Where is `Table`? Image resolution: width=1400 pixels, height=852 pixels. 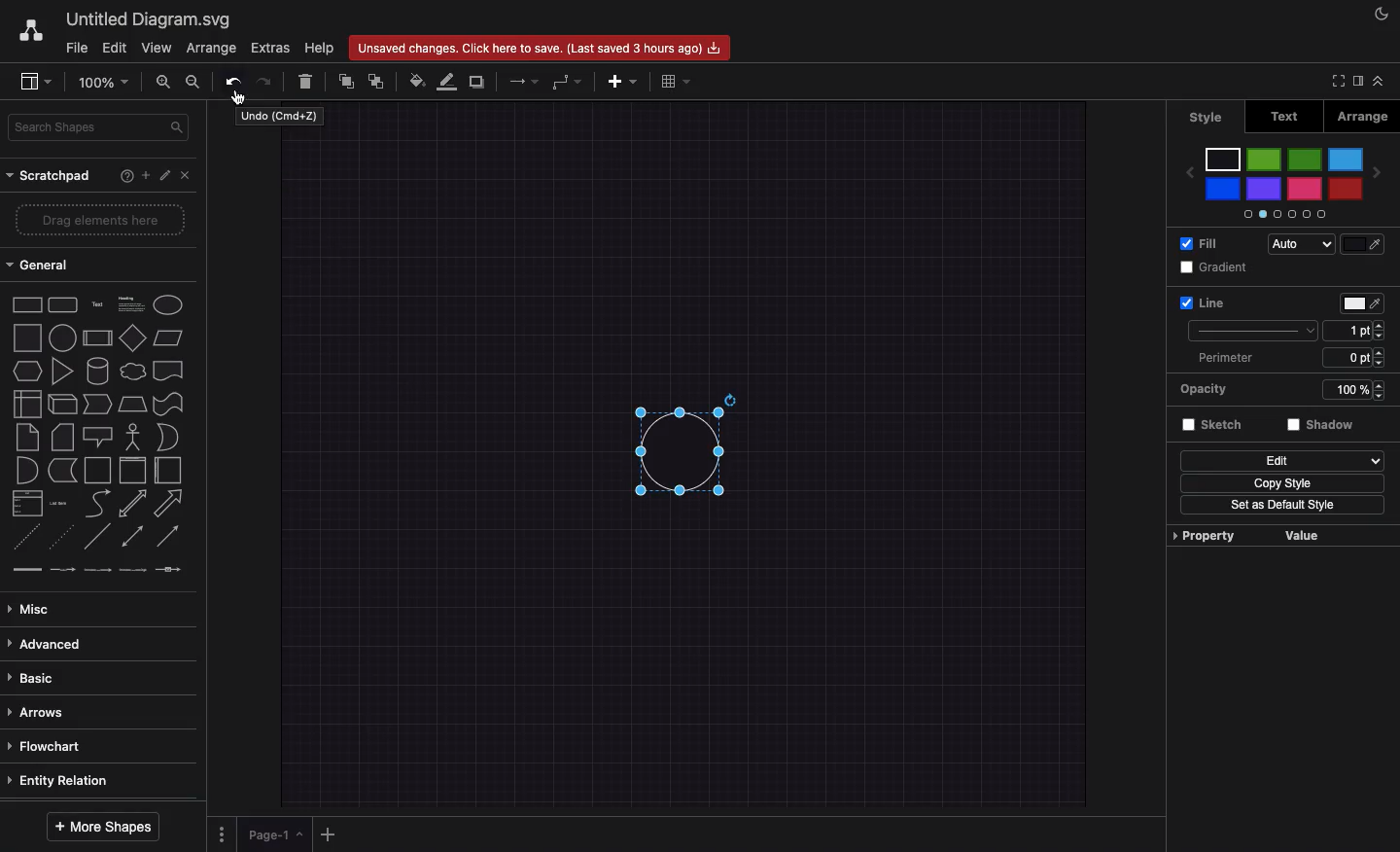 Table is located at coordinates (678, 79).